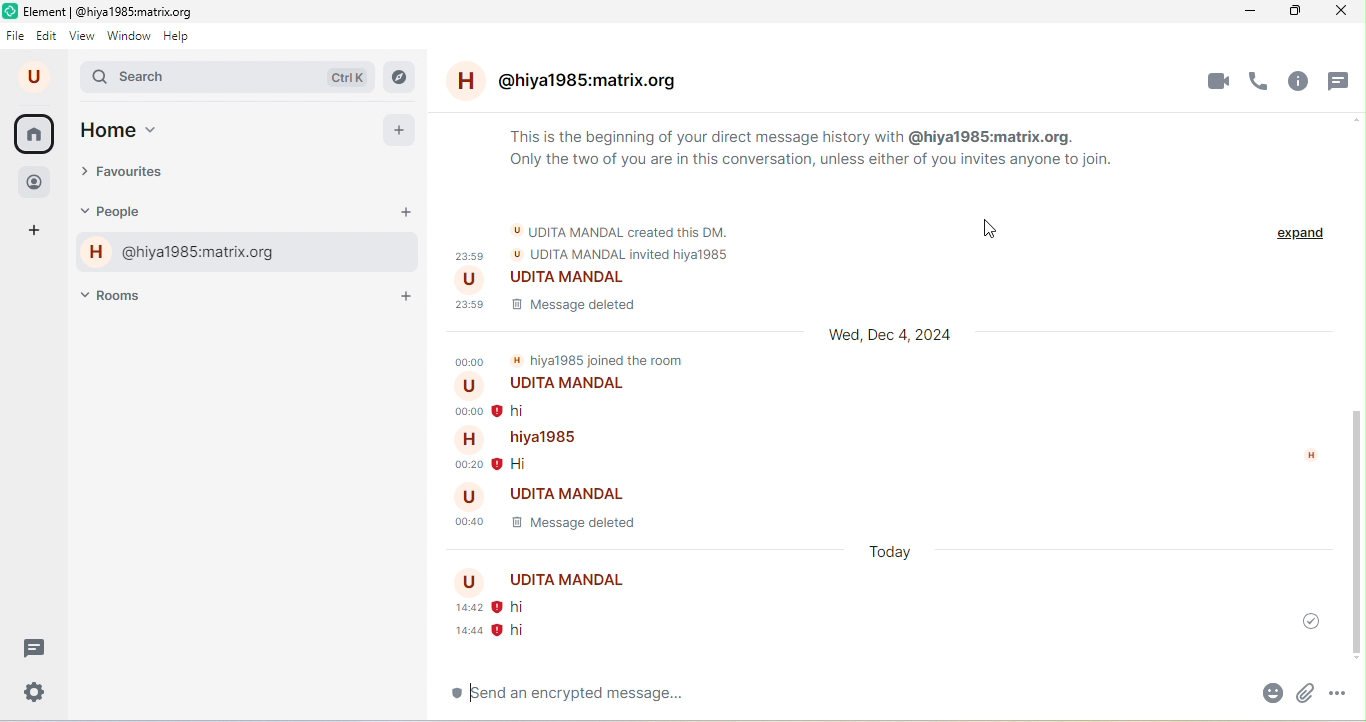  I want to click on edit, so click(48, 37).